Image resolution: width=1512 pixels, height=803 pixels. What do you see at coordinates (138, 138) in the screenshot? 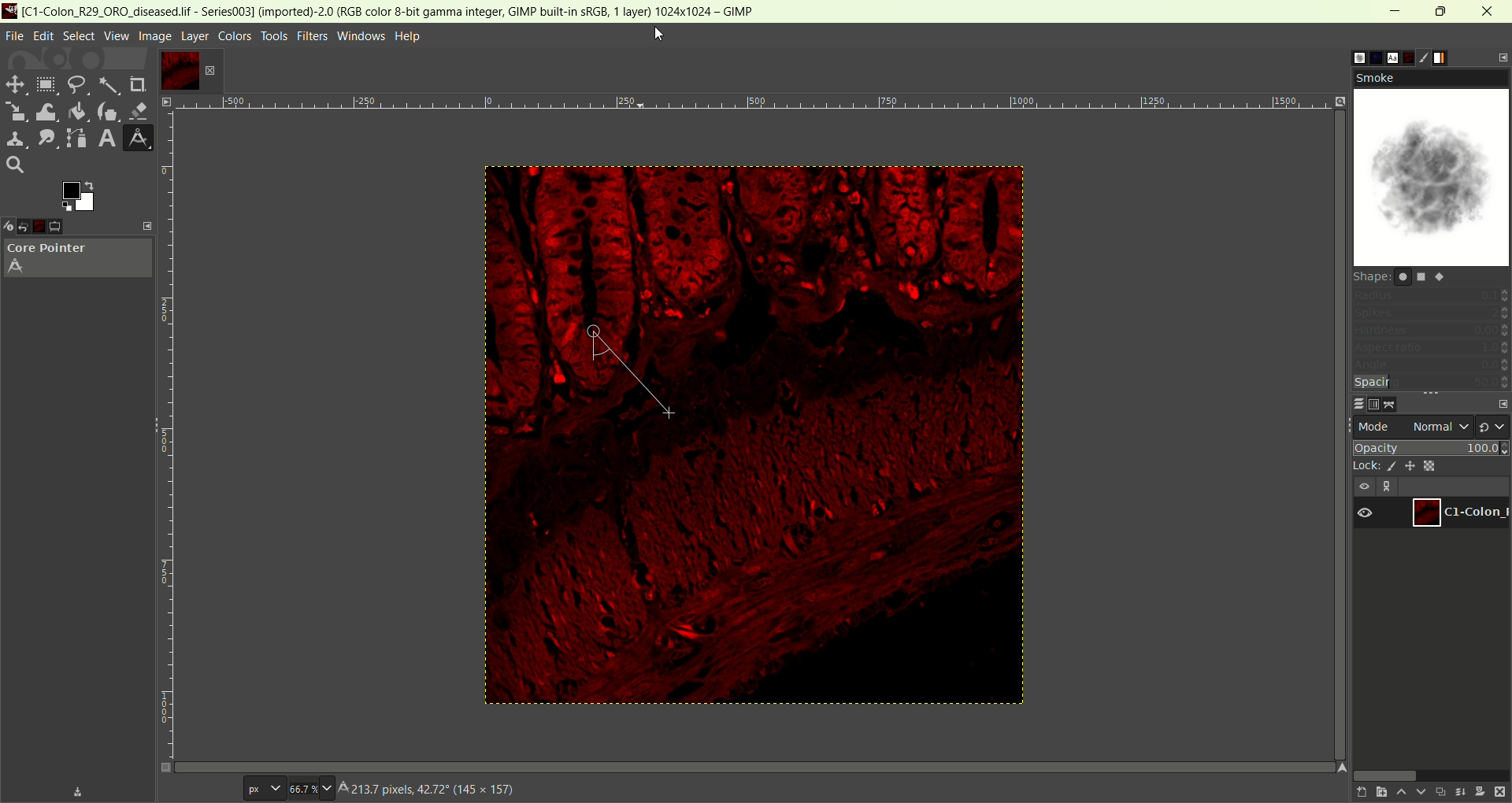
I see `measure tool` at bounding box center [138, 138].